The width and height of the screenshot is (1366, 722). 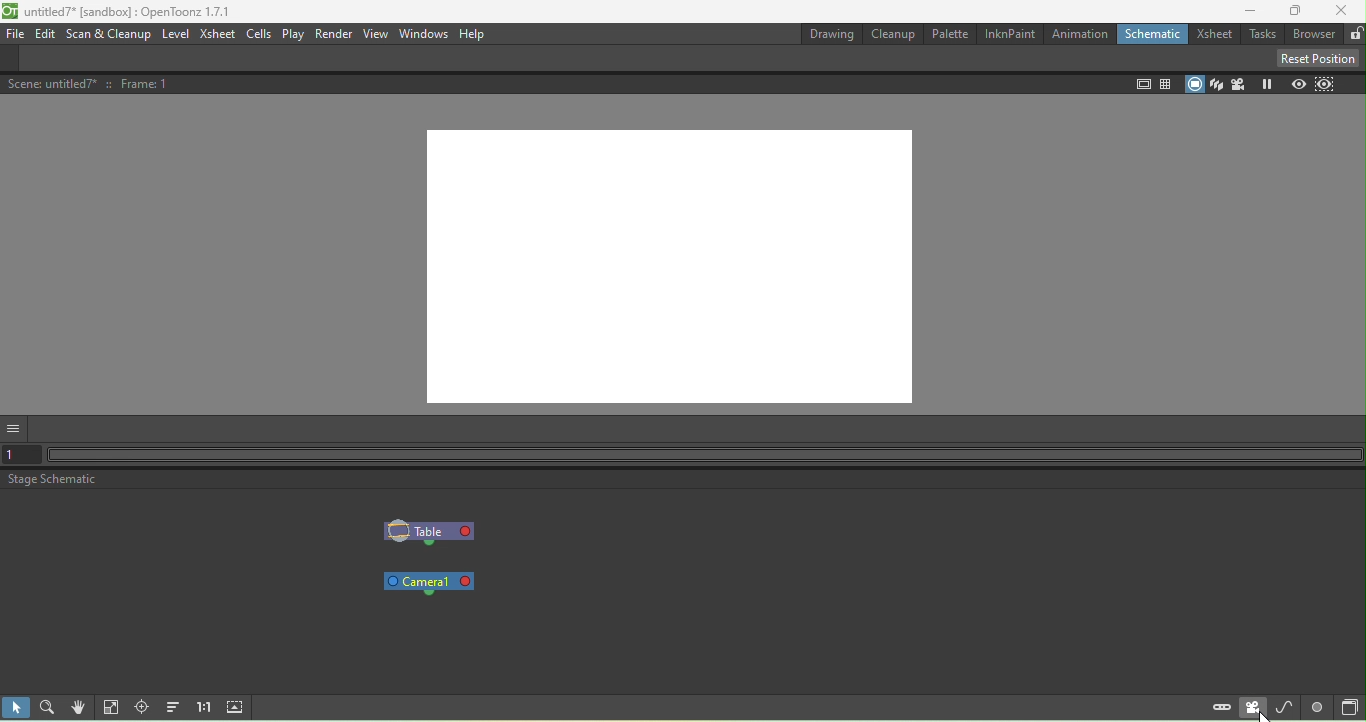 What do you see at coordinates (82, 707) in the screenshot?
I see `Hand mode` at bounding box center [82, 707].